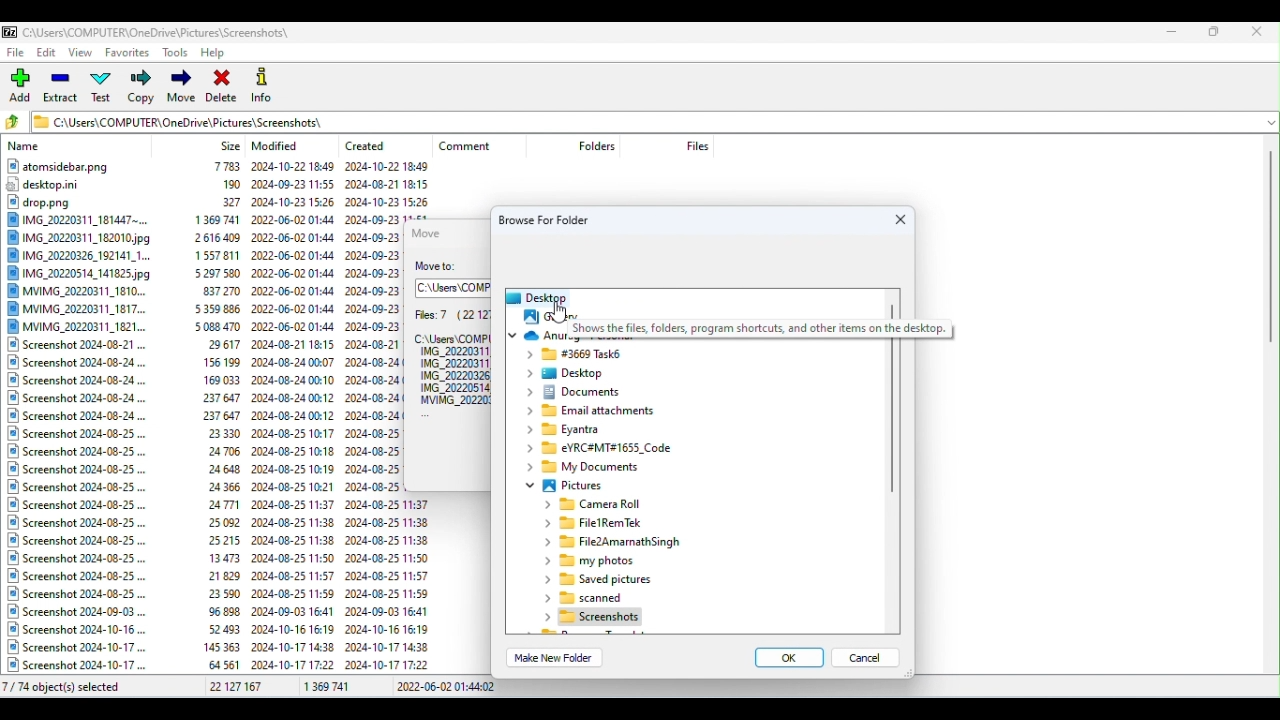 The image size is (1280, 720). Describe the element at coordinates (1214, 31) in the screenshot. I see `Maximize` at that location.